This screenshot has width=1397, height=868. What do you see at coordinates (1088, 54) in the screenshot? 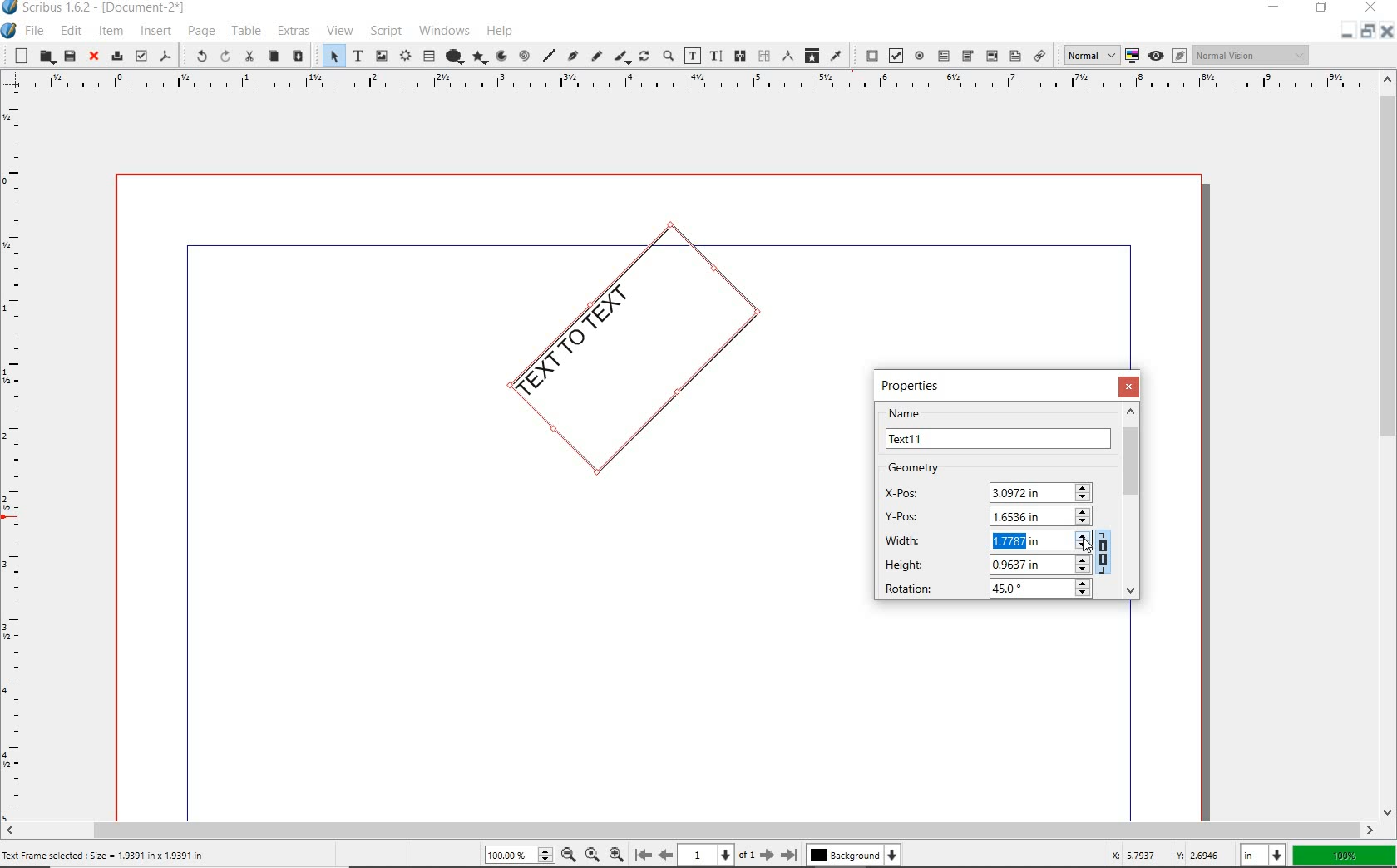
I see `select image preview quality` at bounding box center [1088, 54].